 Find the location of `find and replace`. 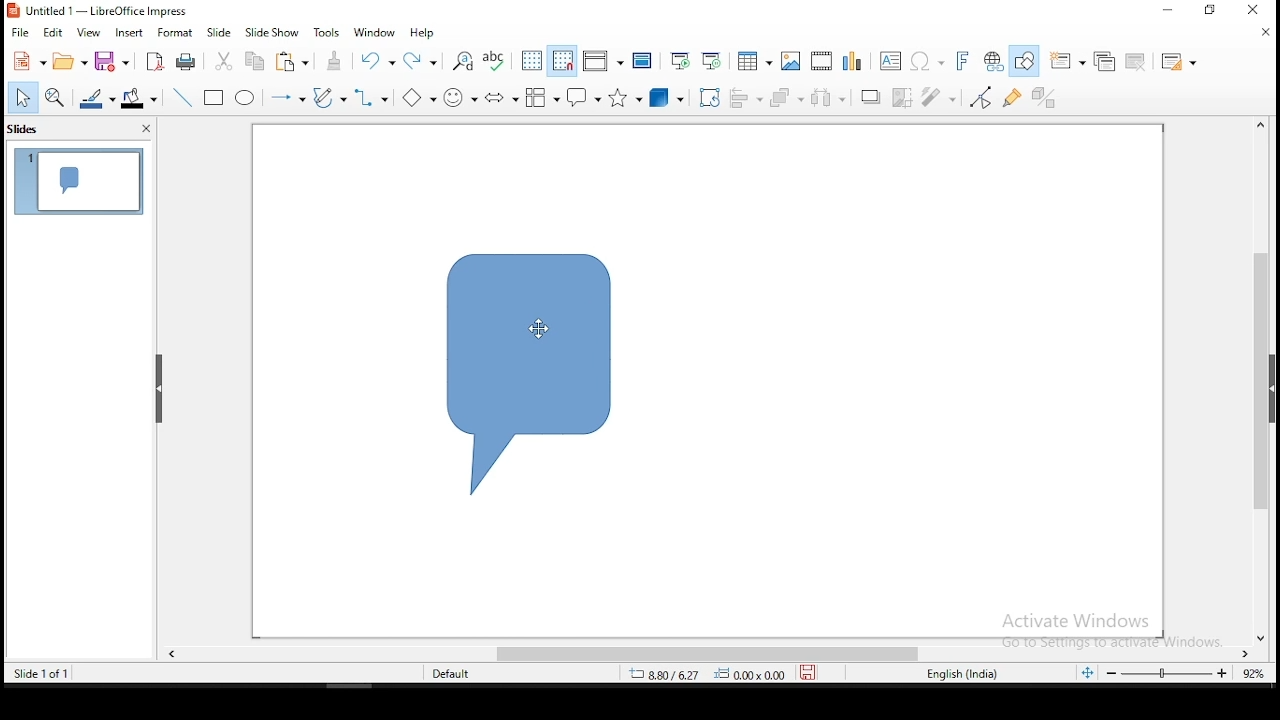

find and replace is located at coordinates (464, 61).